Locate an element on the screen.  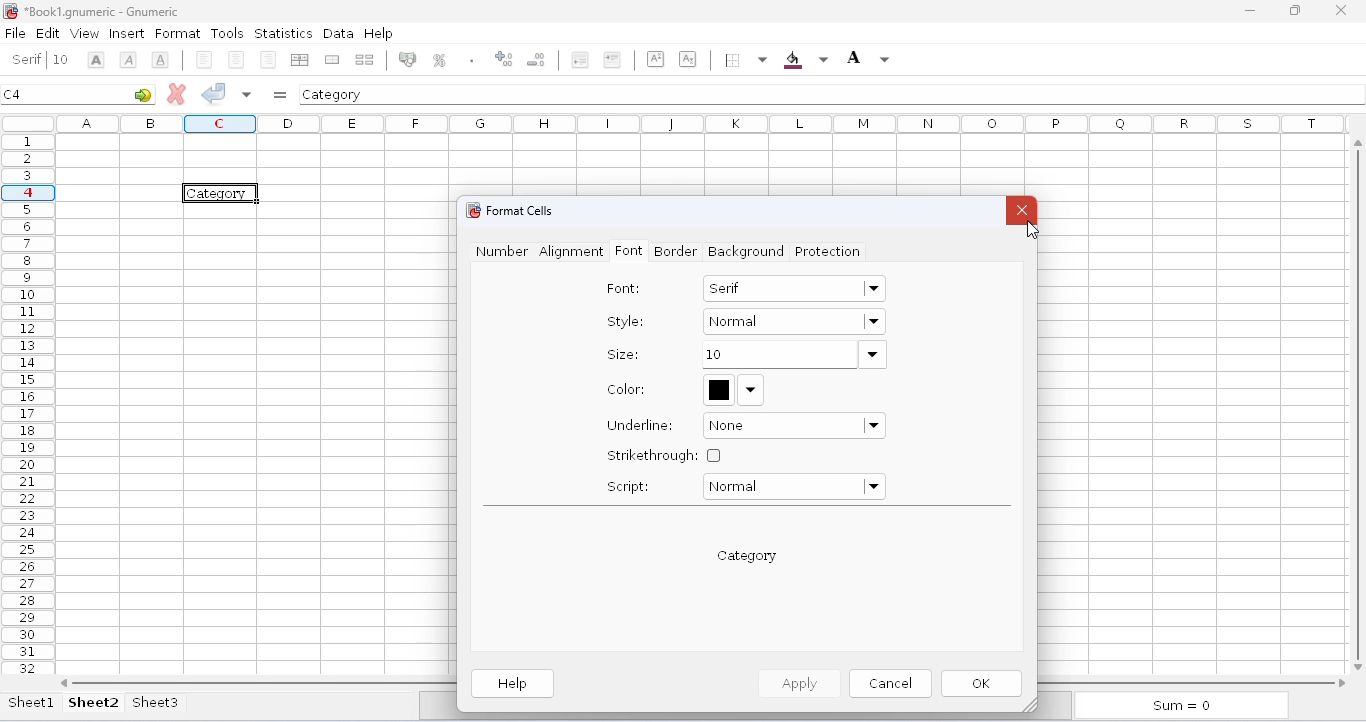
demo font style changed is located at coordinates (747, 556).